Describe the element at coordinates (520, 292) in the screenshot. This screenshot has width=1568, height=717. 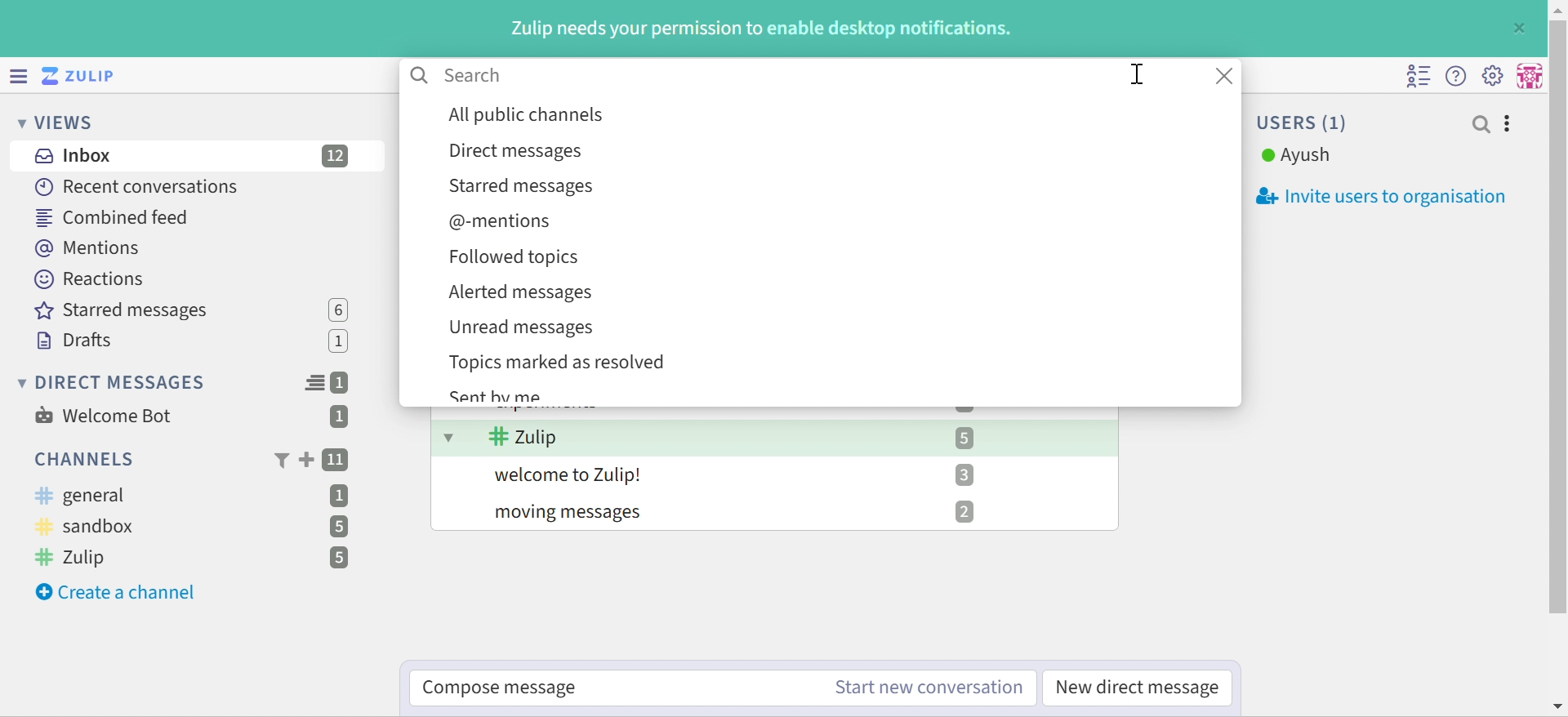
I see `Alerted messages` at that location.